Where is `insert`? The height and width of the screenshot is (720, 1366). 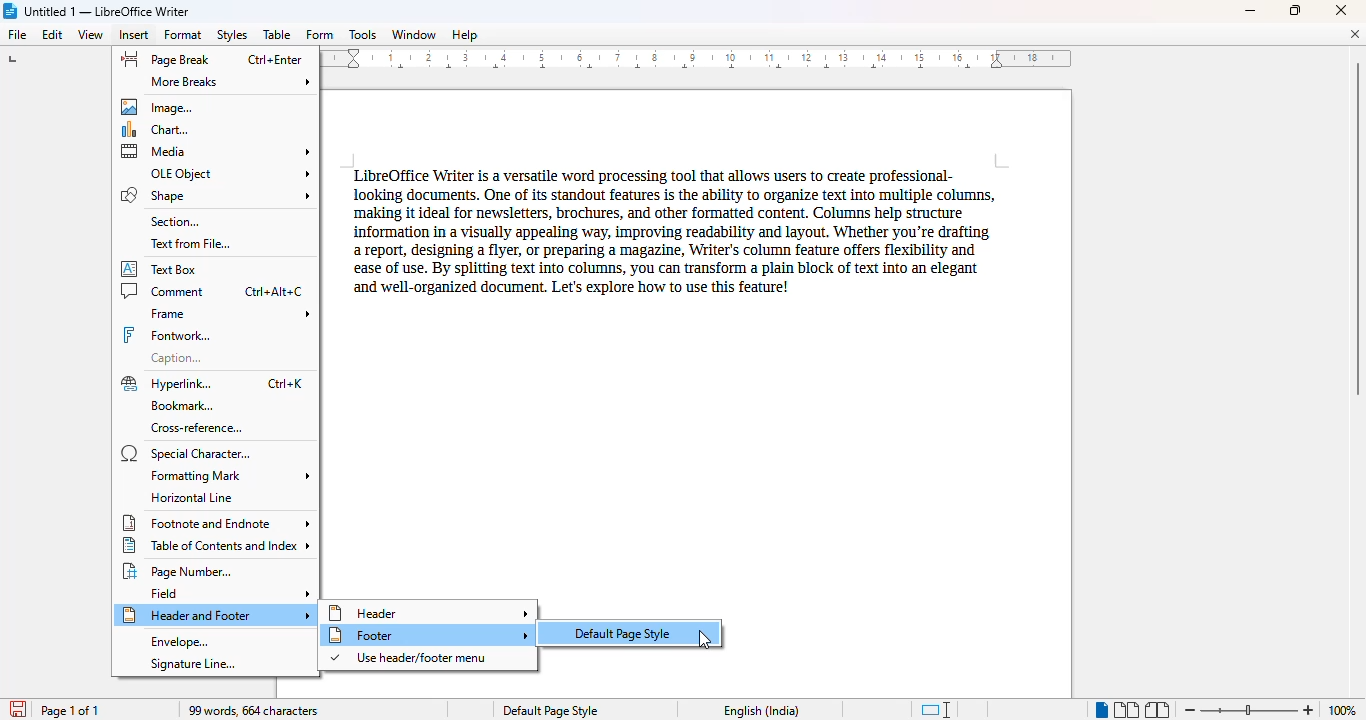
insert is located at coordinates (135, 35).